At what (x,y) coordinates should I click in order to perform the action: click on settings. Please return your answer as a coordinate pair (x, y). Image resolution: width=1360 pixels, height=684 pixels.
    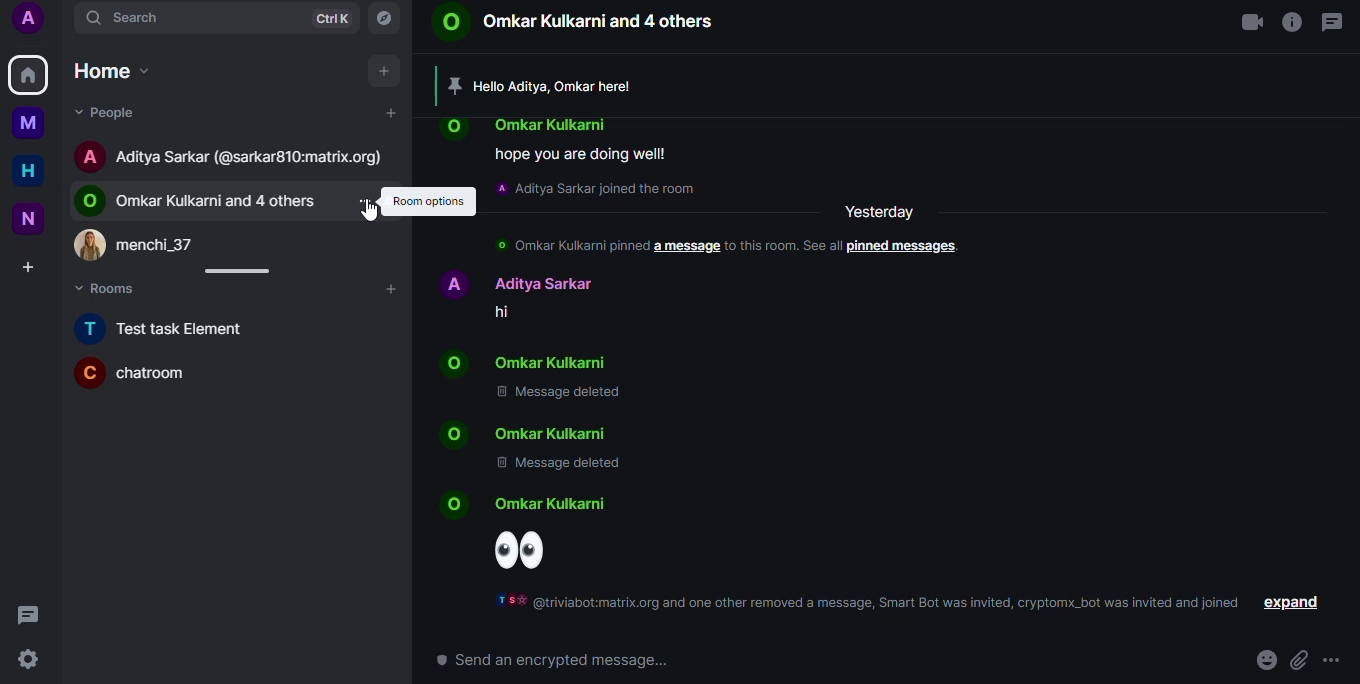
    Looking at the image, I should click on (30, 660).